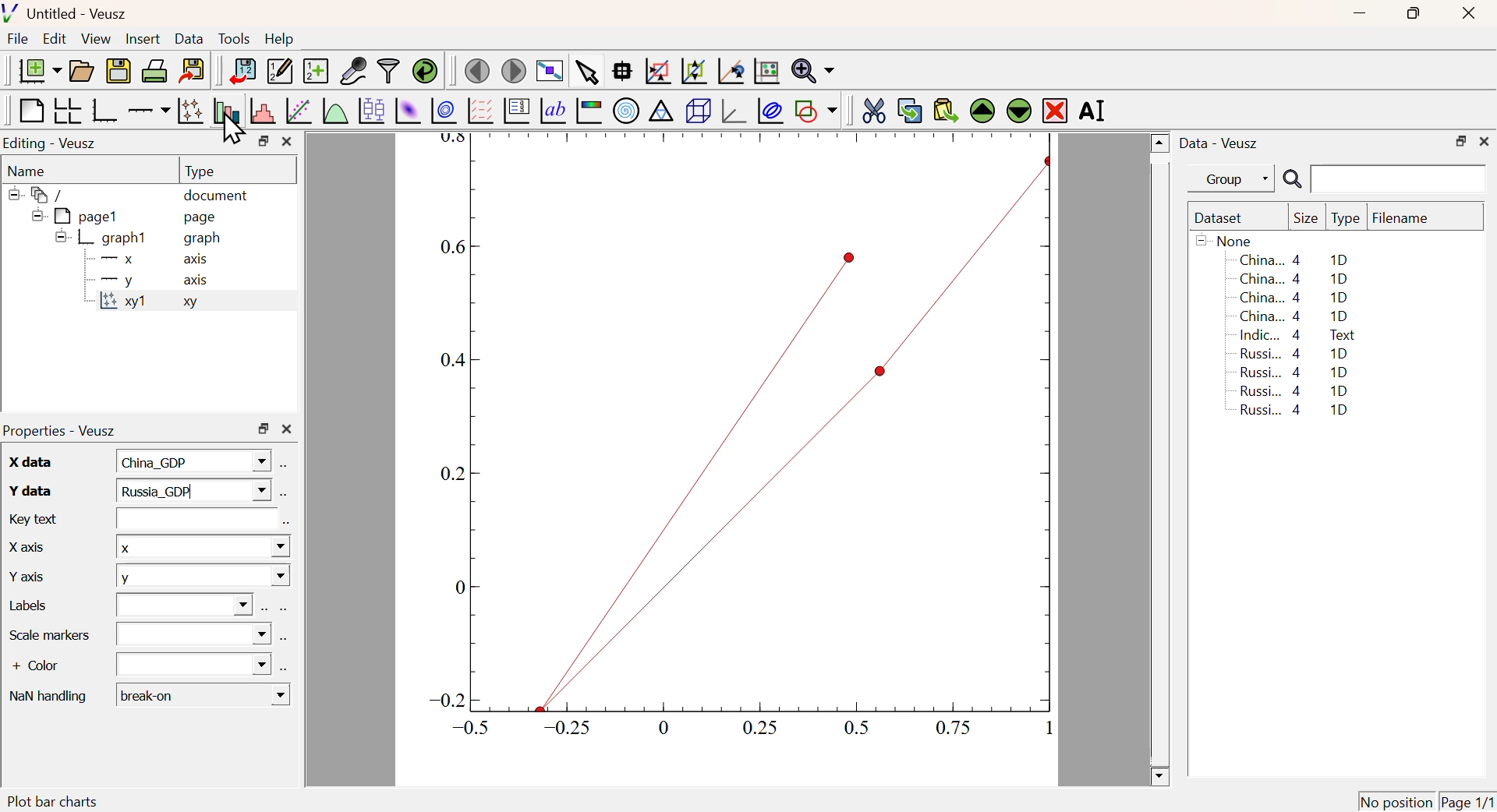 This screenshot has height=812, width=1497. What do you see at coordinates (1411, 13) in the screenshot?
I see `Restore Down` at bounding box center [1411, 13].